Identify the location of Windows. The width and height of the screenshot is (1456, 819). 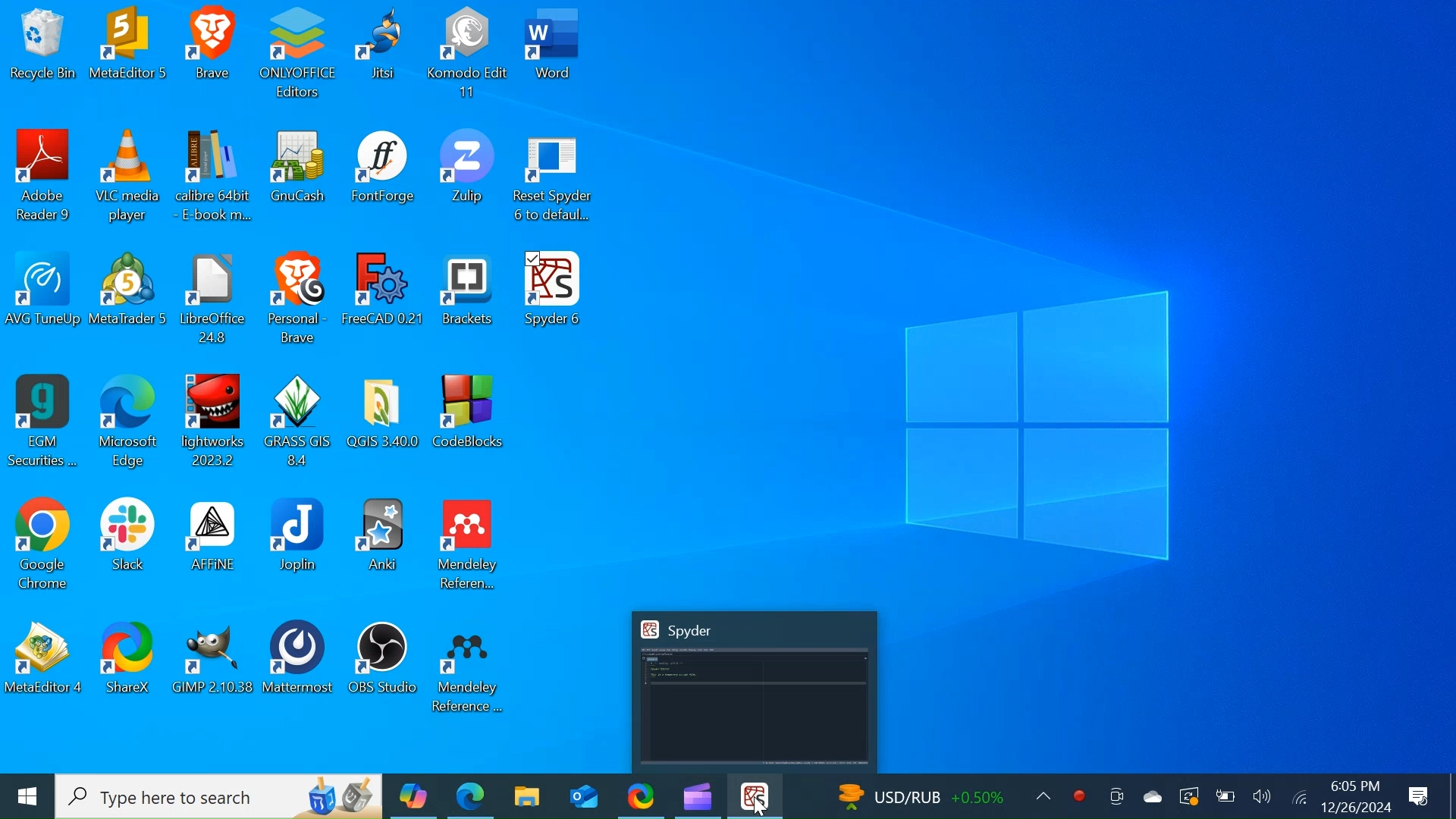
(27, 796).